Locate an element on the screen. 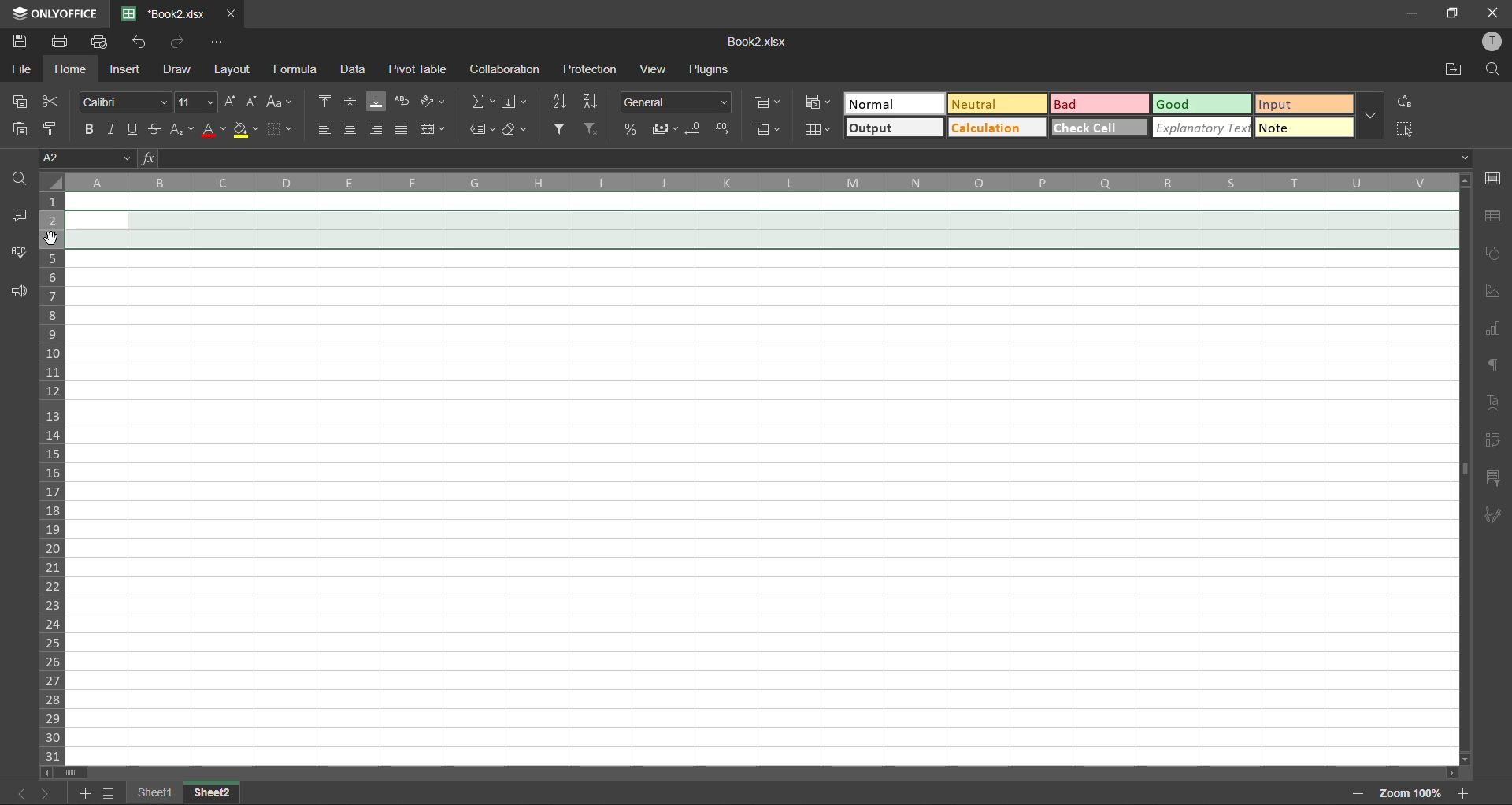  home is located at coordinates (72, 69).